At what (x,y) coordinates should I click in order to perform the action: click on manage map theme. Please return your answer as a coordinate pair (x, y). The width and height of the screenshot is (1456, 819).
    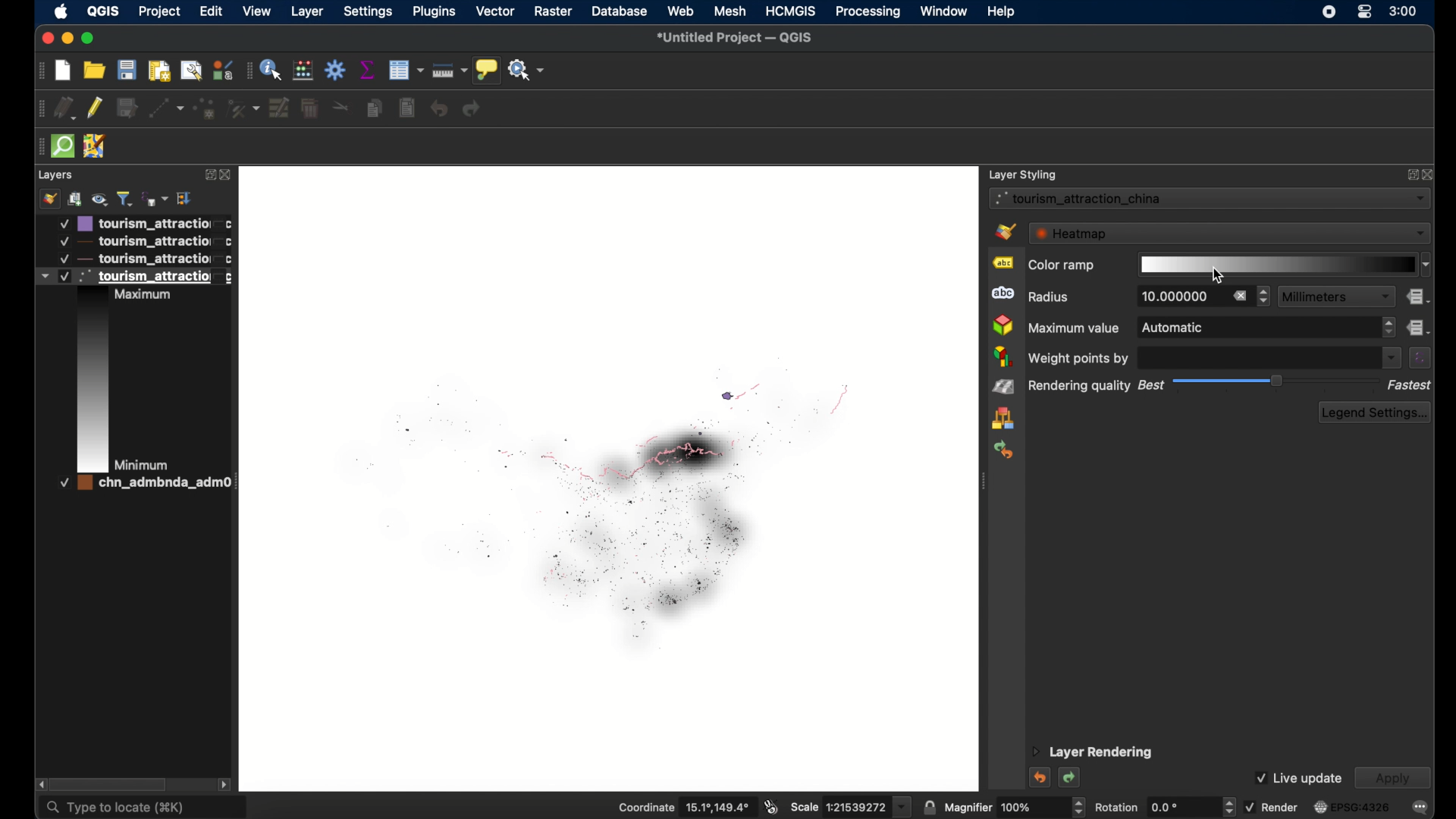
    Looking at the image, I should click on (100, 199).